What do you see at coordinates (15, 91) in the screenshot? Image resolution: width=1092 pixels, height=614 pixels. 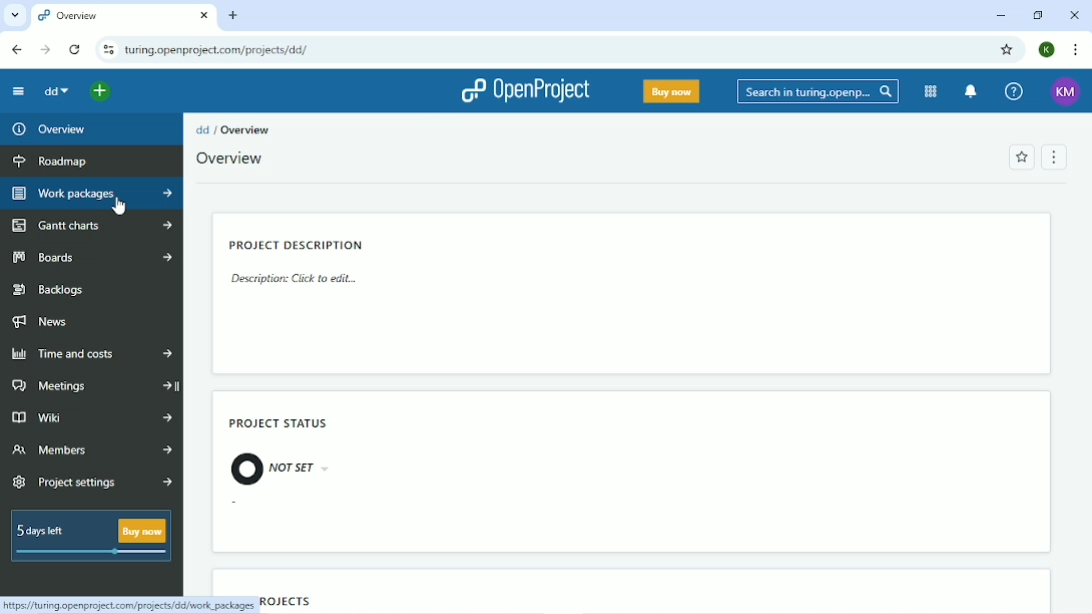 I see `Collapse project menu` at bounding box center [15, 91].